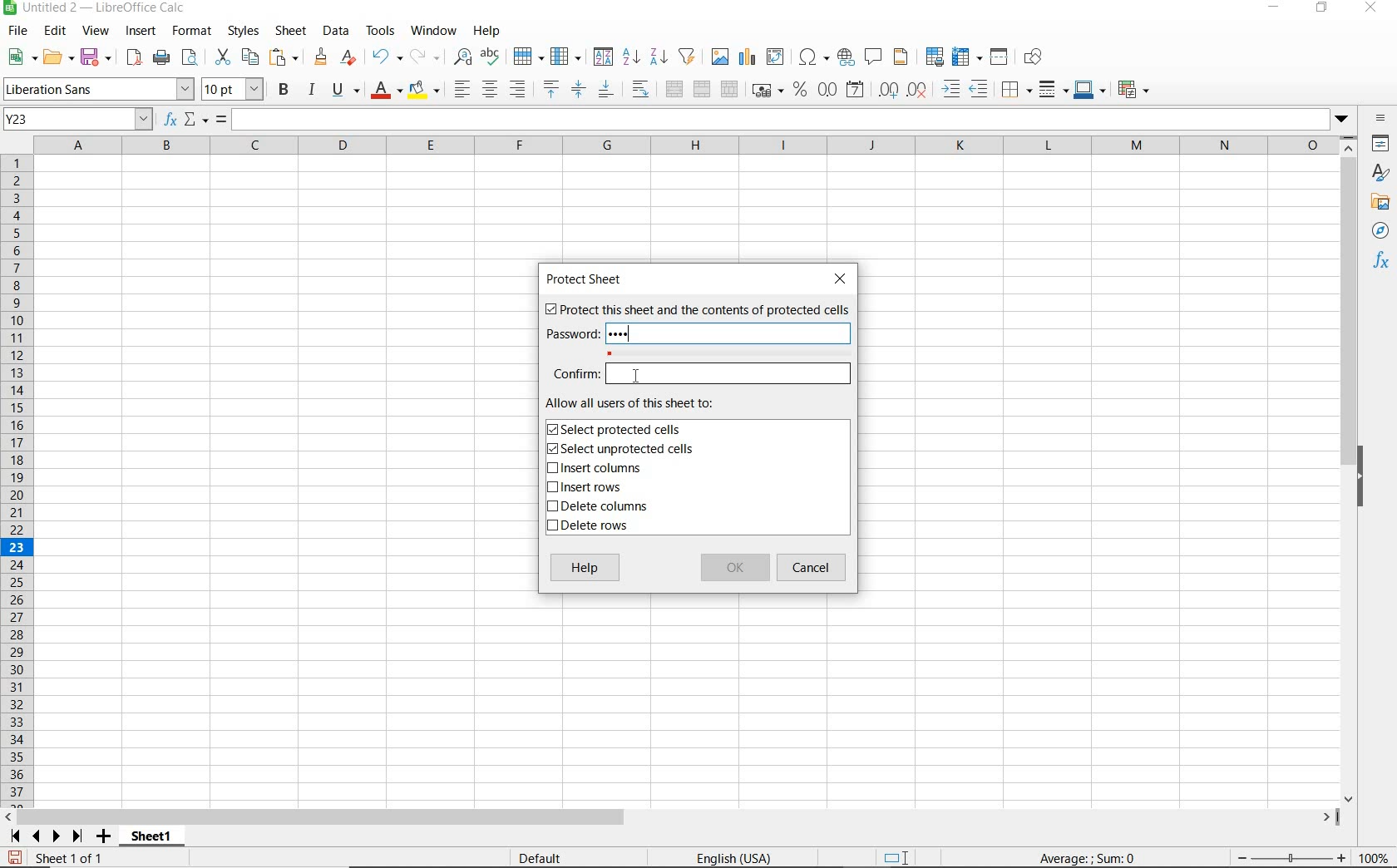 The height and width of the screenshot is (868, 1397). I want to click on DELETE COLUMNS, so click(605, 508).